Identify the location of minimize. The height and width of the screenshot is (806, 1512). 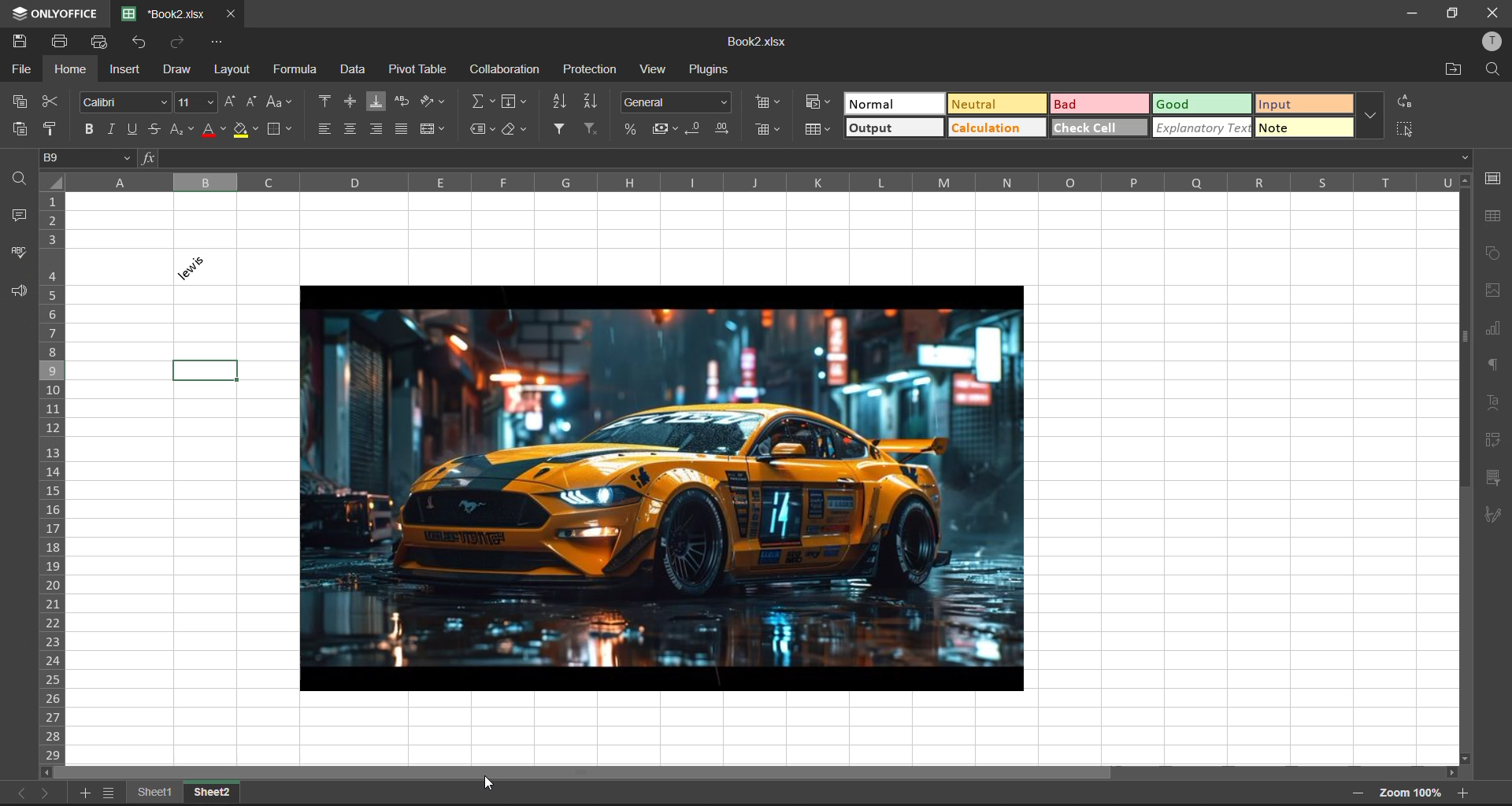
(1409, 12).